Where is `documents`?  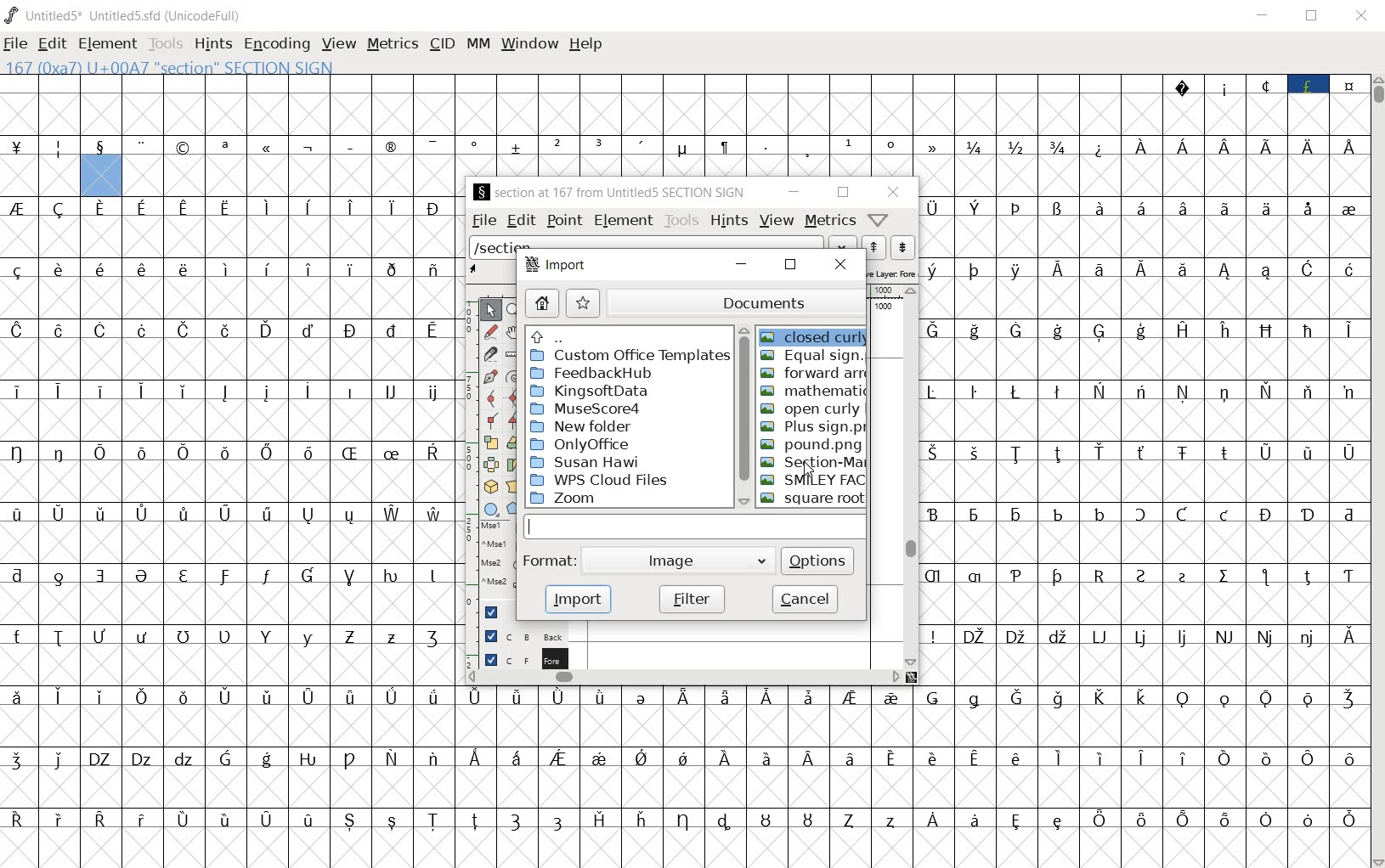 documents is located at coordinates (734, 303).